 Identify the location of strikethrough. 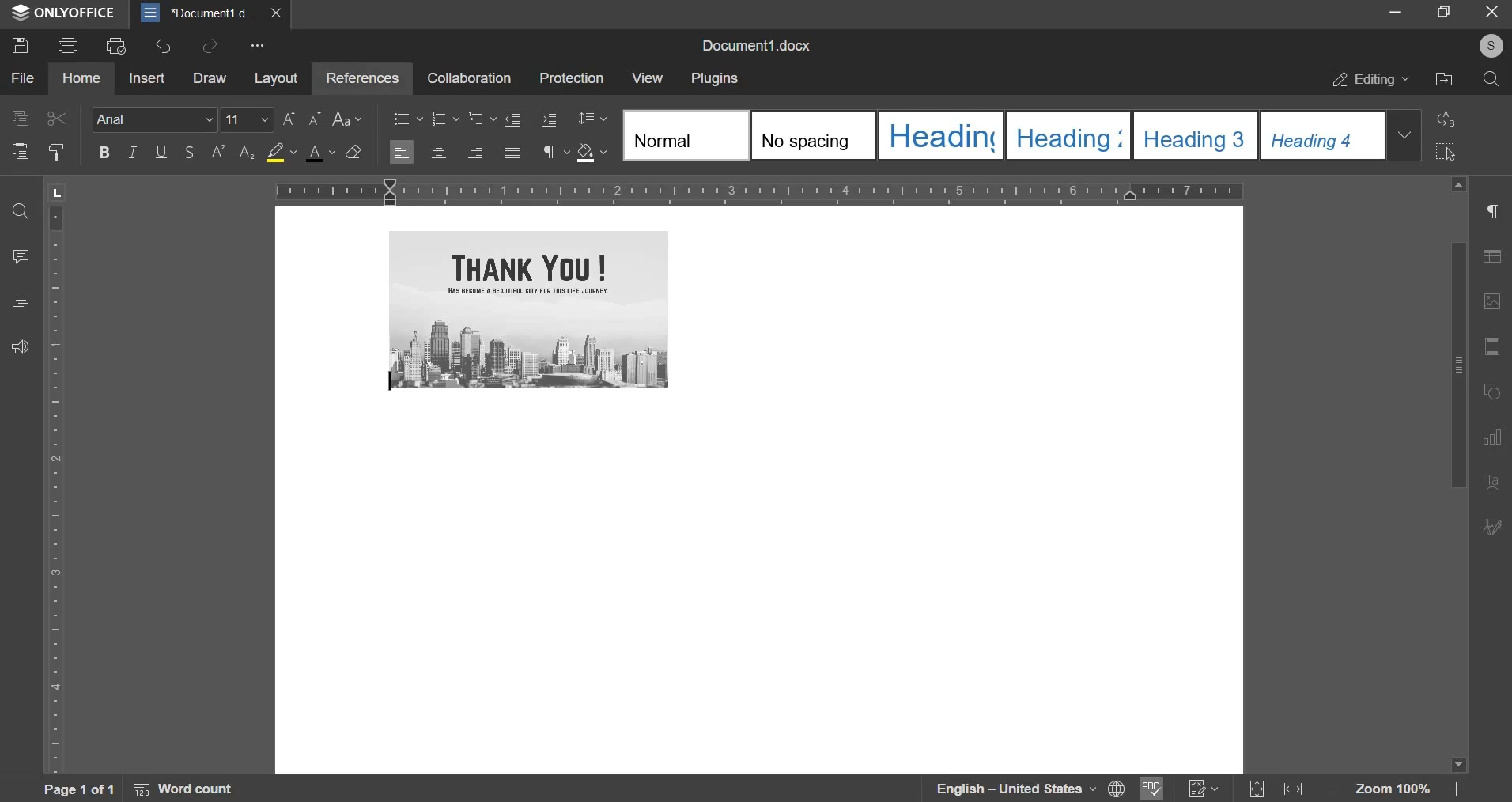
(187, 151).